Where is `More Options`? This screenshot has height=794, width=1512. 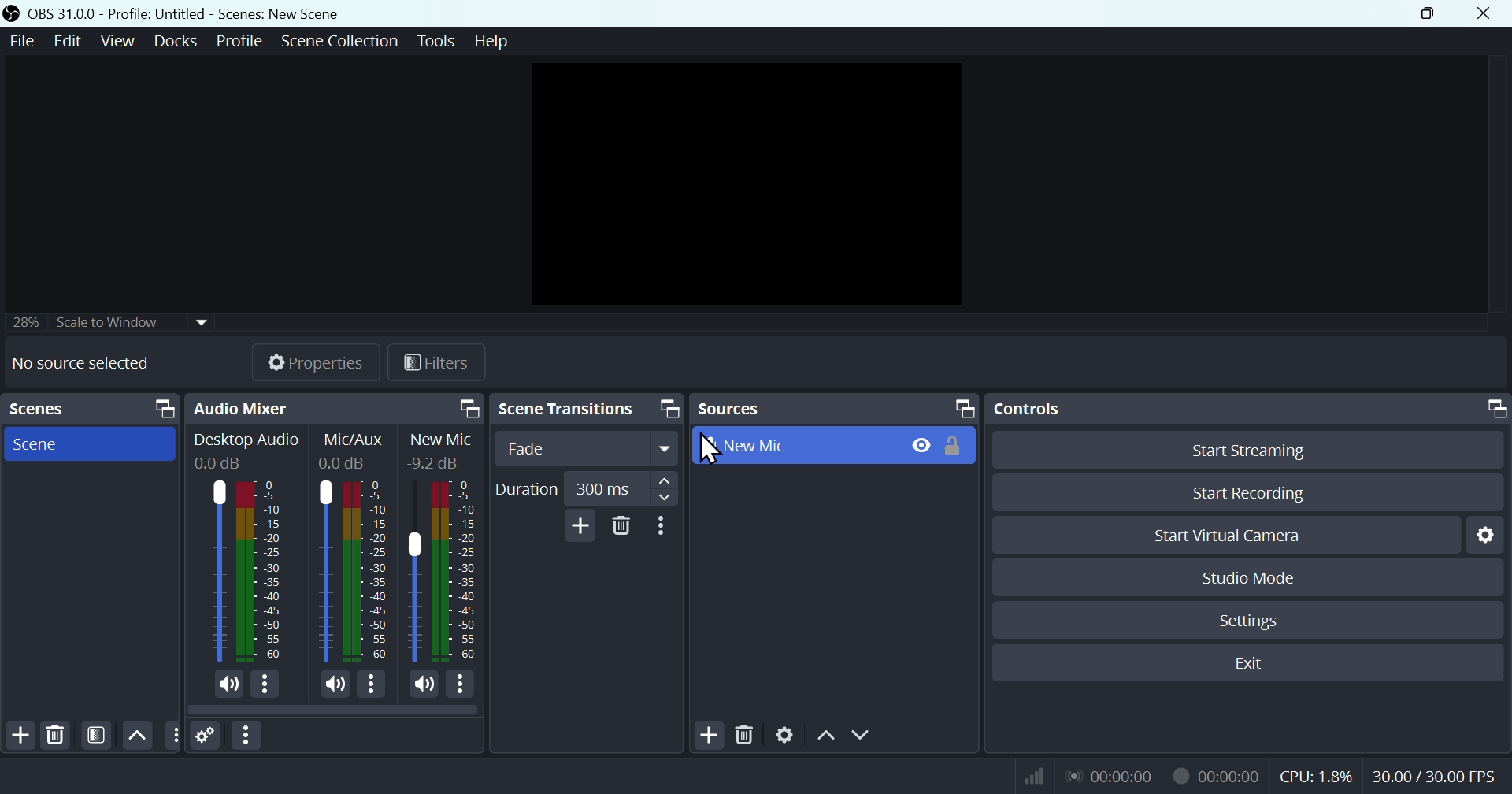 More Options is located at coordinates (373, 684).